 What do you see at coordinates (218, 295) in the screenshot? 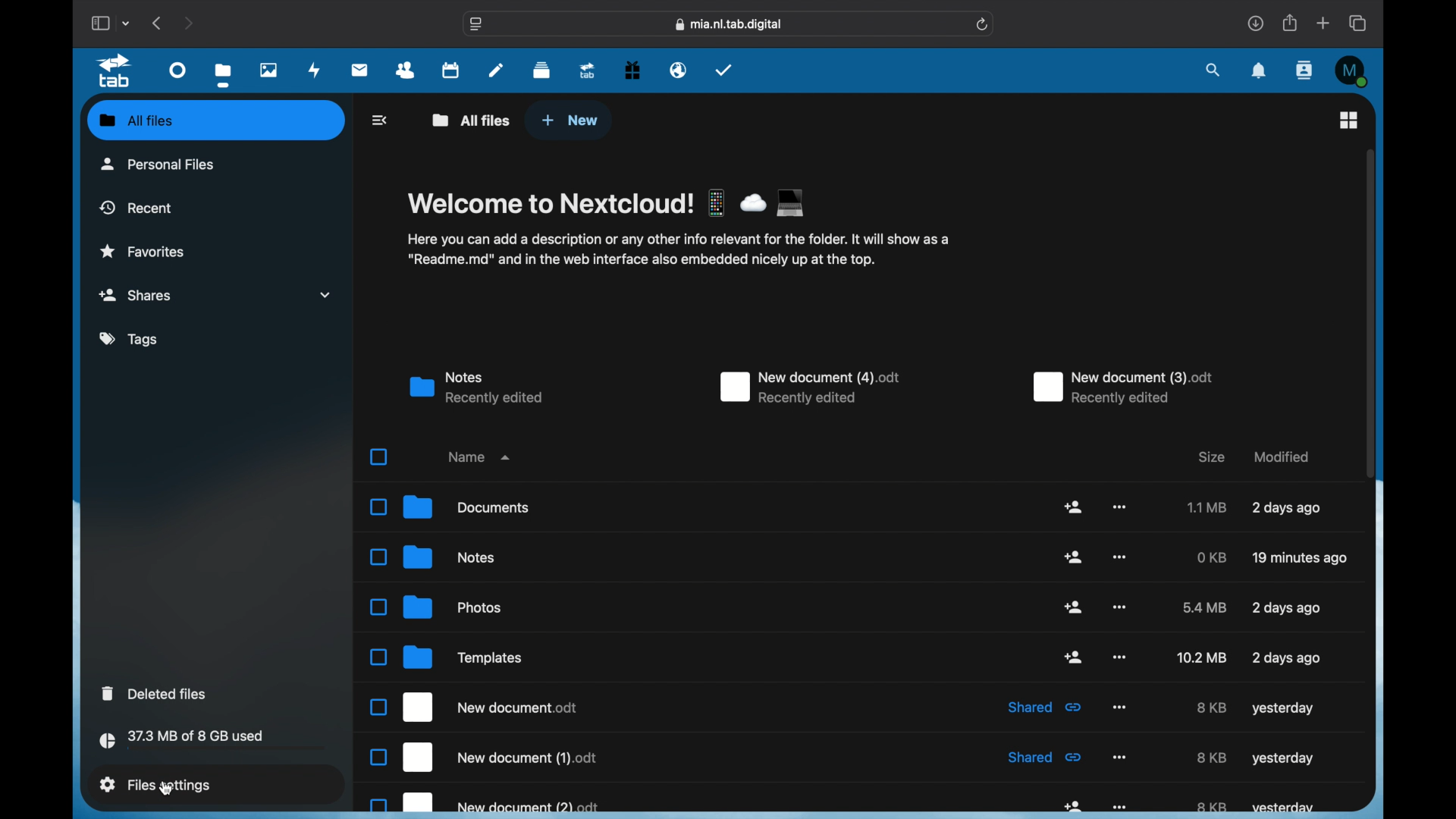
I see `shares` at bounding box center [218, 295].